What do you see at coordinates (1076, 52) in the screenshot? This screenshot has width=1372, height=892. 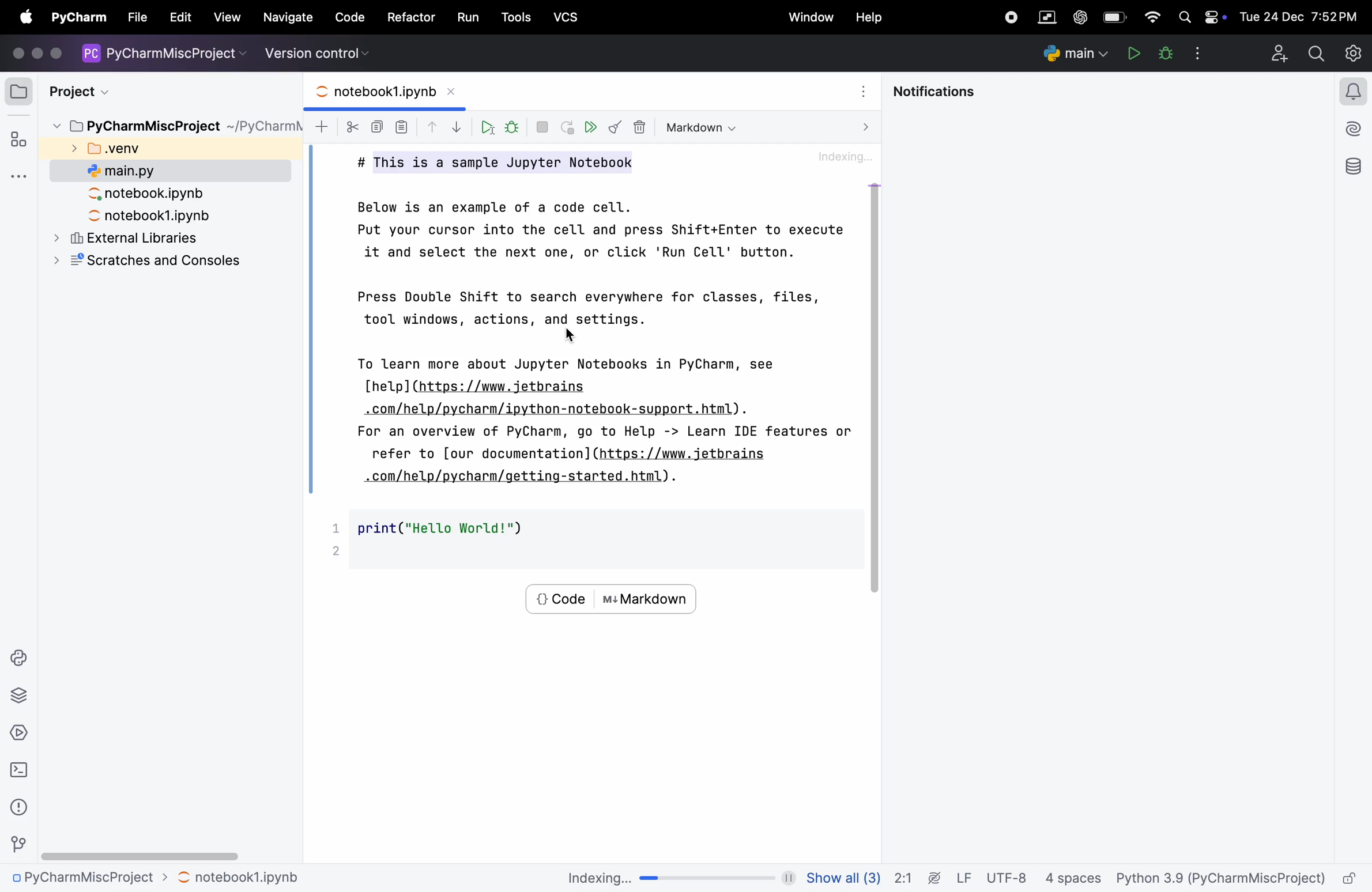 I see `run and debug configurations` at bounding box center [1076, 52].